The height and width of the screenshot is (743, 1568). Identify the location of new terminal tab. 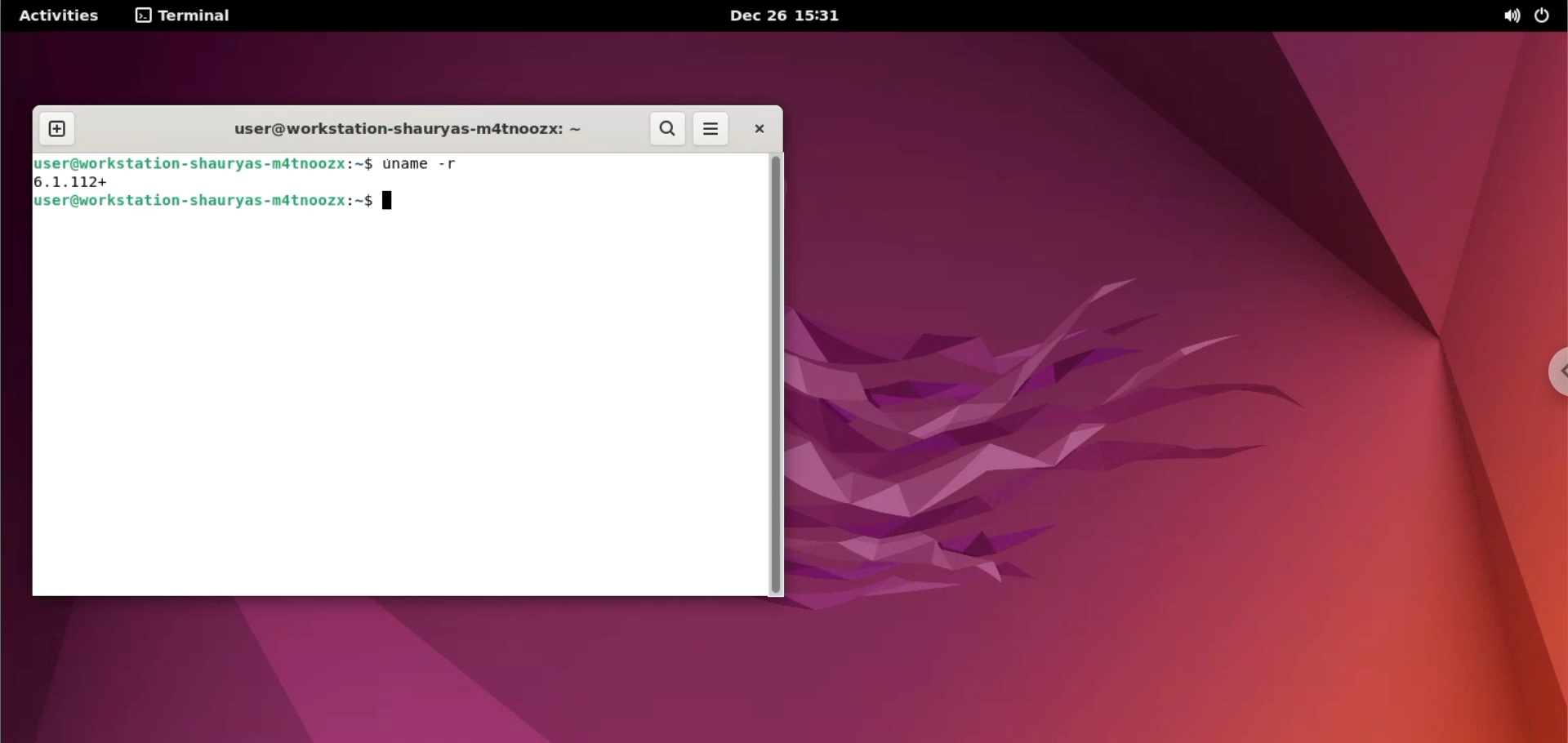
(60, 130).